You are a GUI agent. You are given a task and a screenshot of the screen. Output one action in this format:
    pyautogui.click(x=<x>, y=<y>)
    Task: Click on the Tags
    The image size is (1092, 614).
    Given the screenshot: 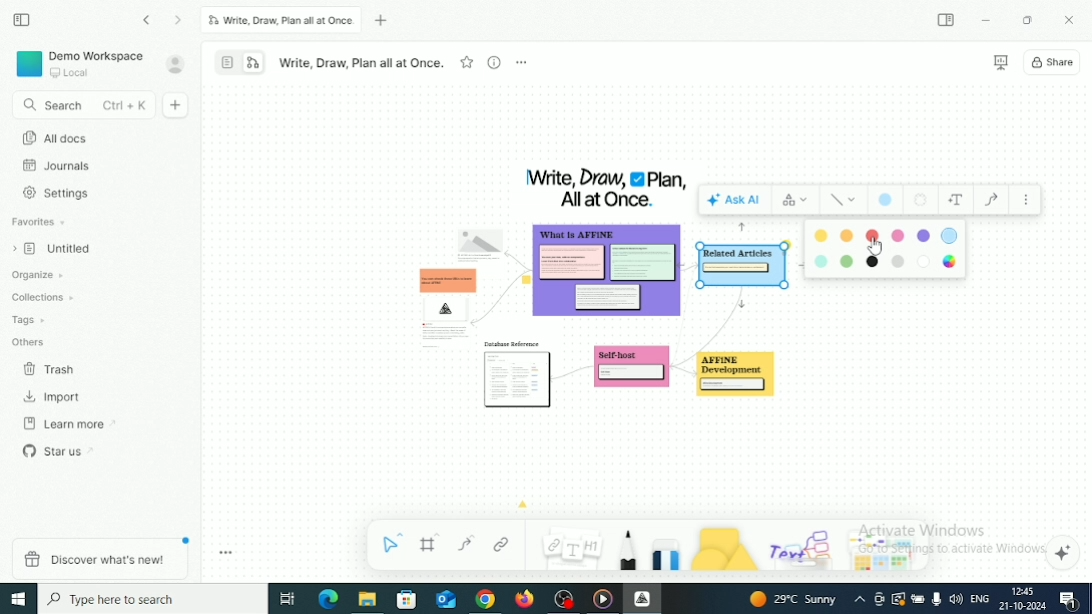 What is the action you would take?
    pyautogui.click(x=30, y=320)
    